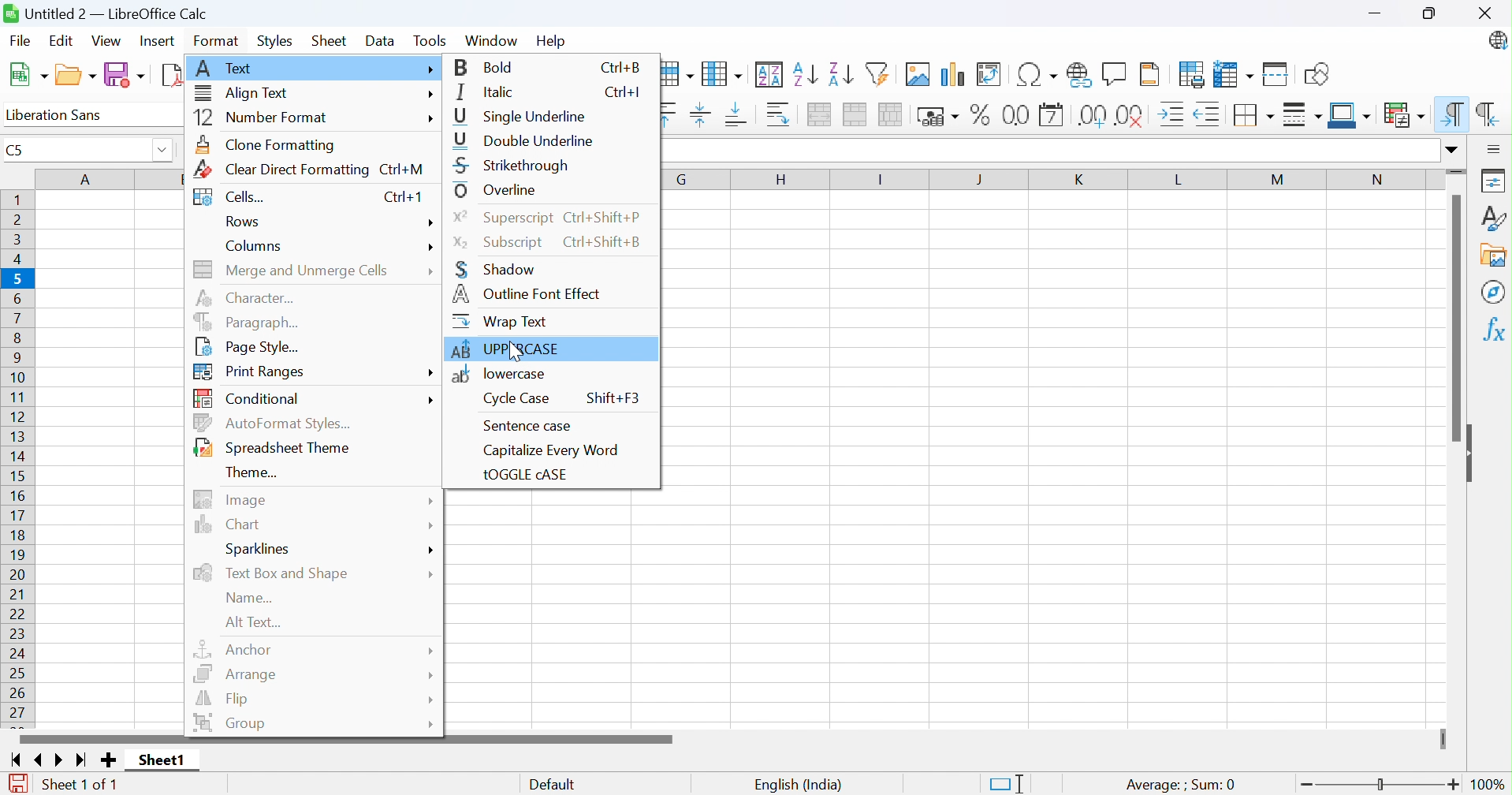  Describe the element at coordinates (255, 244) in the screenshot. I see `Columns` at that location.